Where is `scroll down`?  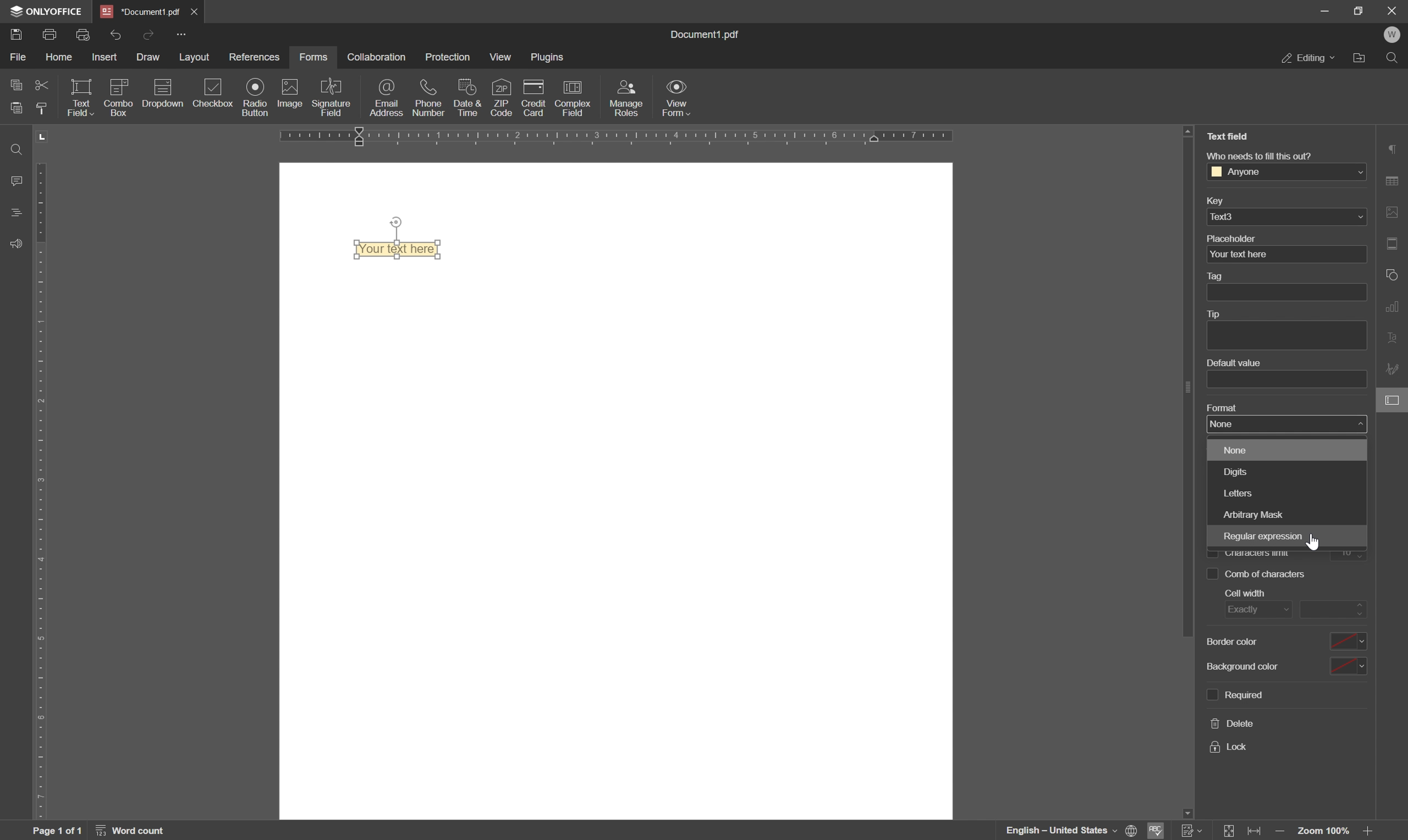
scroll down is located at coordinates (1186, 811).